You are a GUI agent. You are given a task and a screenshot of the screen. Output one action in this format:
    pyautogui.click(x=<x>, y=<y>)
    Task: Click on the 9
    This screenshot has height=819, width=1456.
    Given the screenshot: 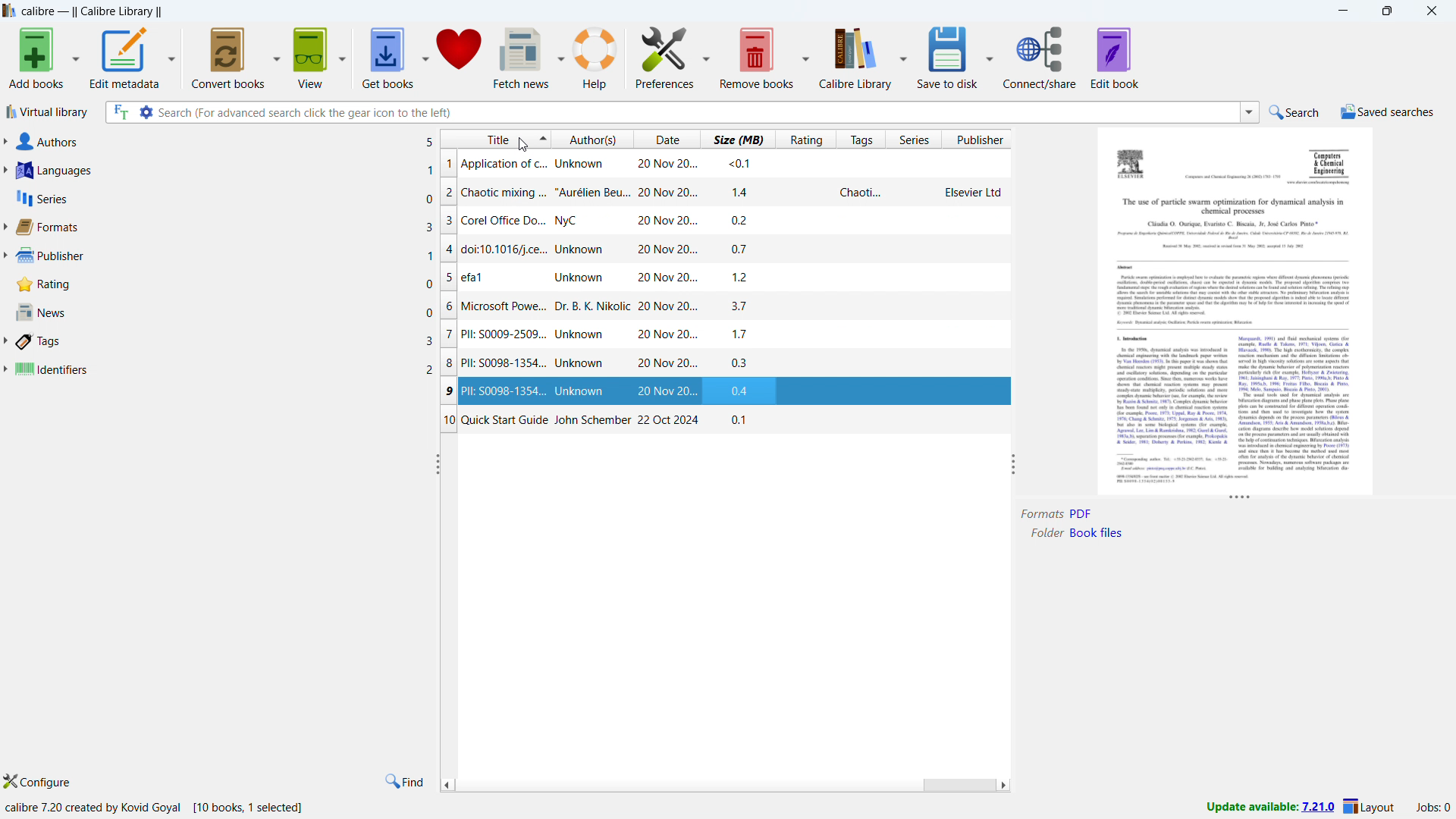 What is the action you would take?
    pyautogui.click(x=449, y=391)
    